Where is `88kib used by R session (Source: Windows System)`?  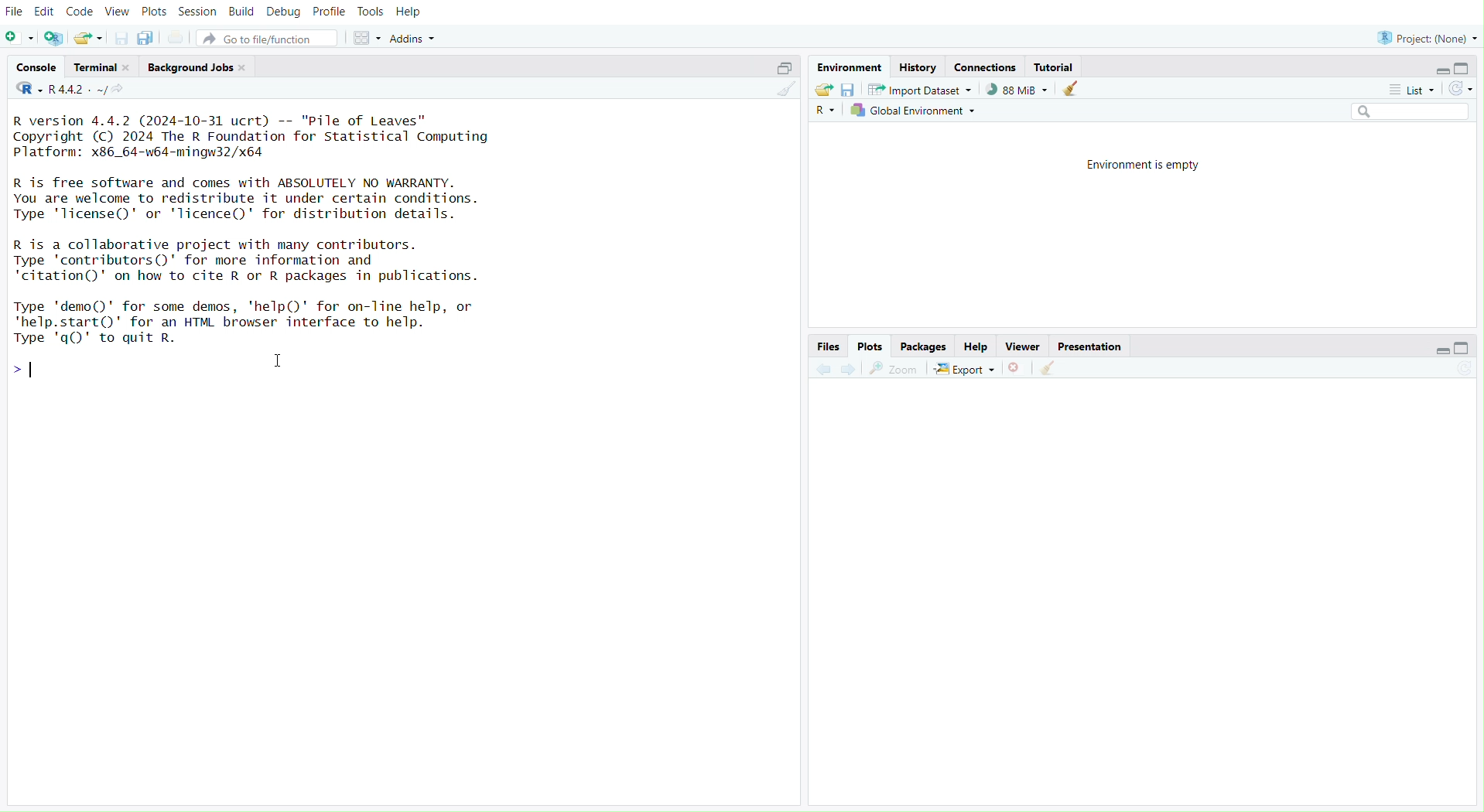 88kib used by R session (Source: Windows System) is located at coordinates (2079, 598).